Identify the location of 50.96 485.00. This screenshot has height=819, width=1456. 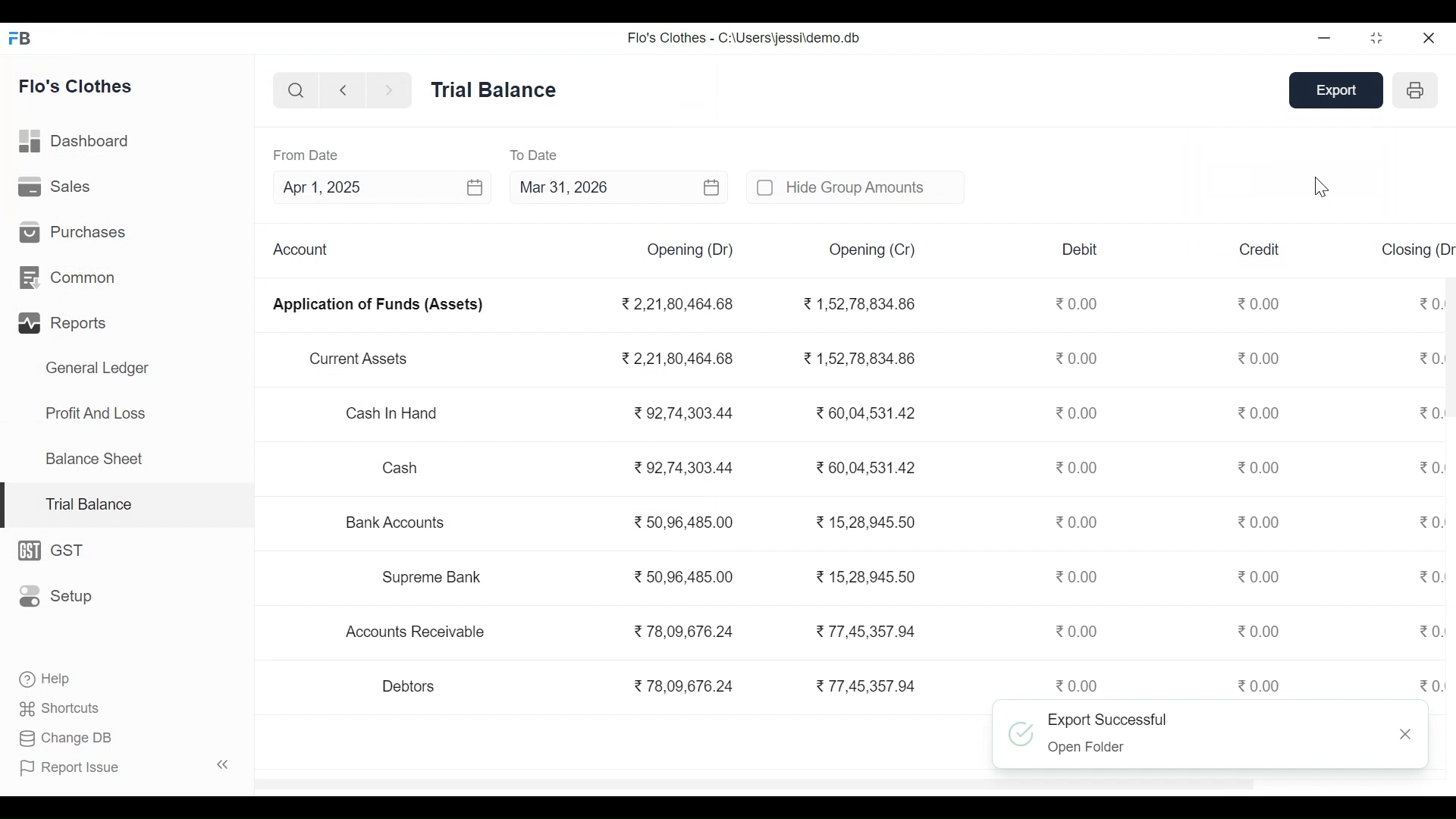
(684, 521).